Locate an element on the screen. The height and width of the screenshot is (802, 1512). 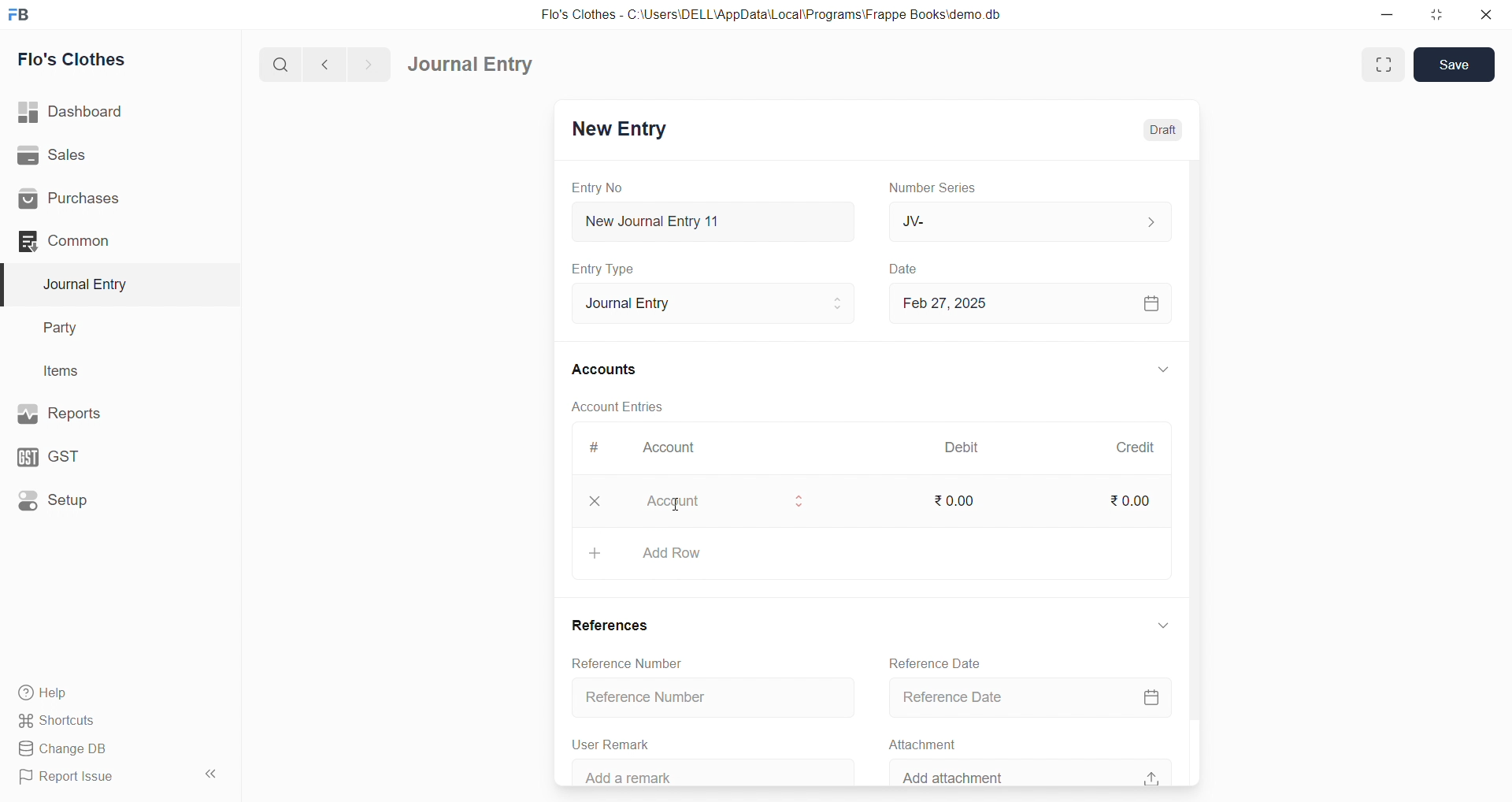
₹0.00 is located at coordinates (1132, 500).